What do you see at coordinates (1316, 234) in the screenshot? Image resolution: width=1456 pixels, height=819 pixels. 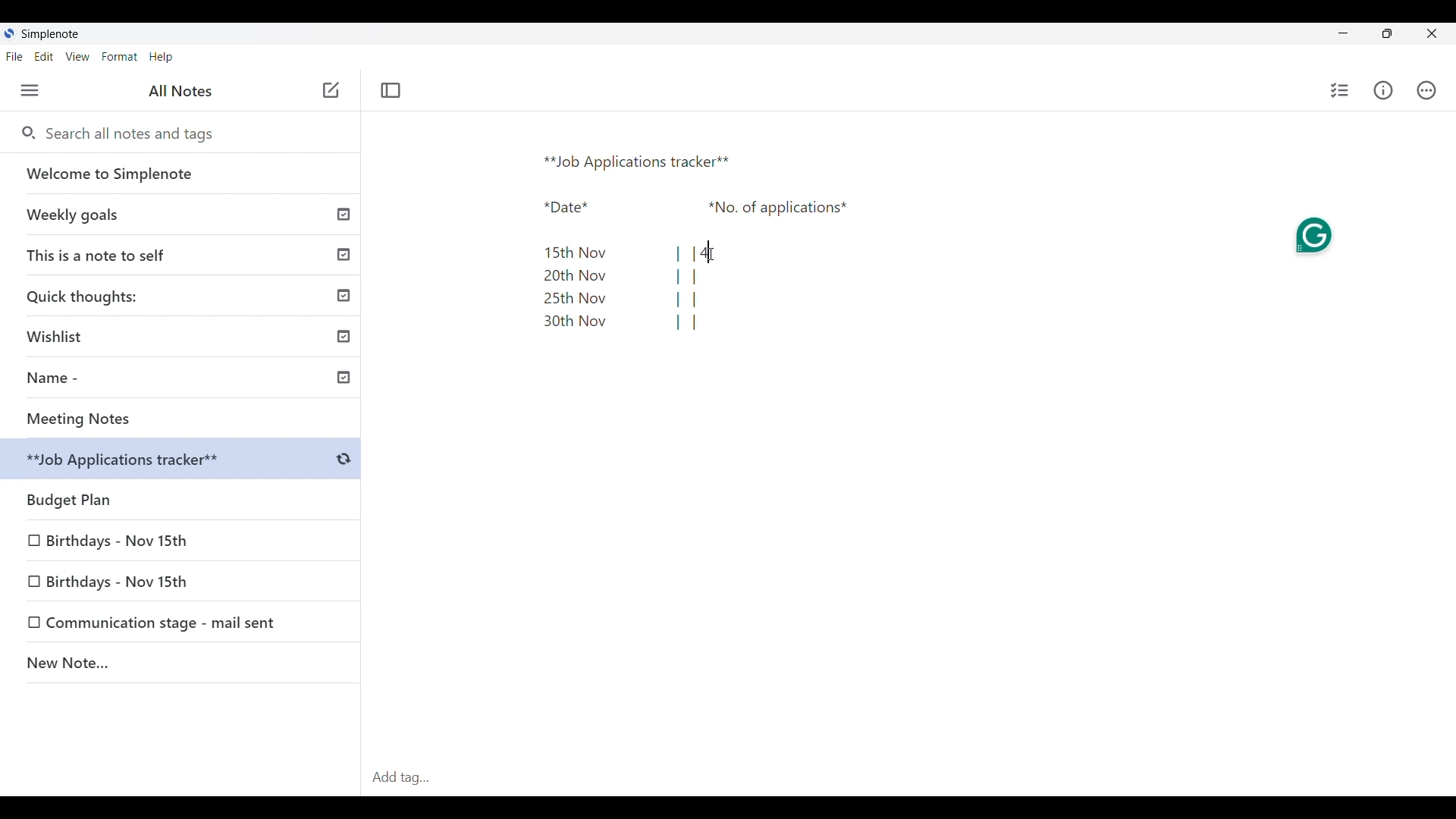 I see `Grammarly extension on` at bounding box center [1316, 234].